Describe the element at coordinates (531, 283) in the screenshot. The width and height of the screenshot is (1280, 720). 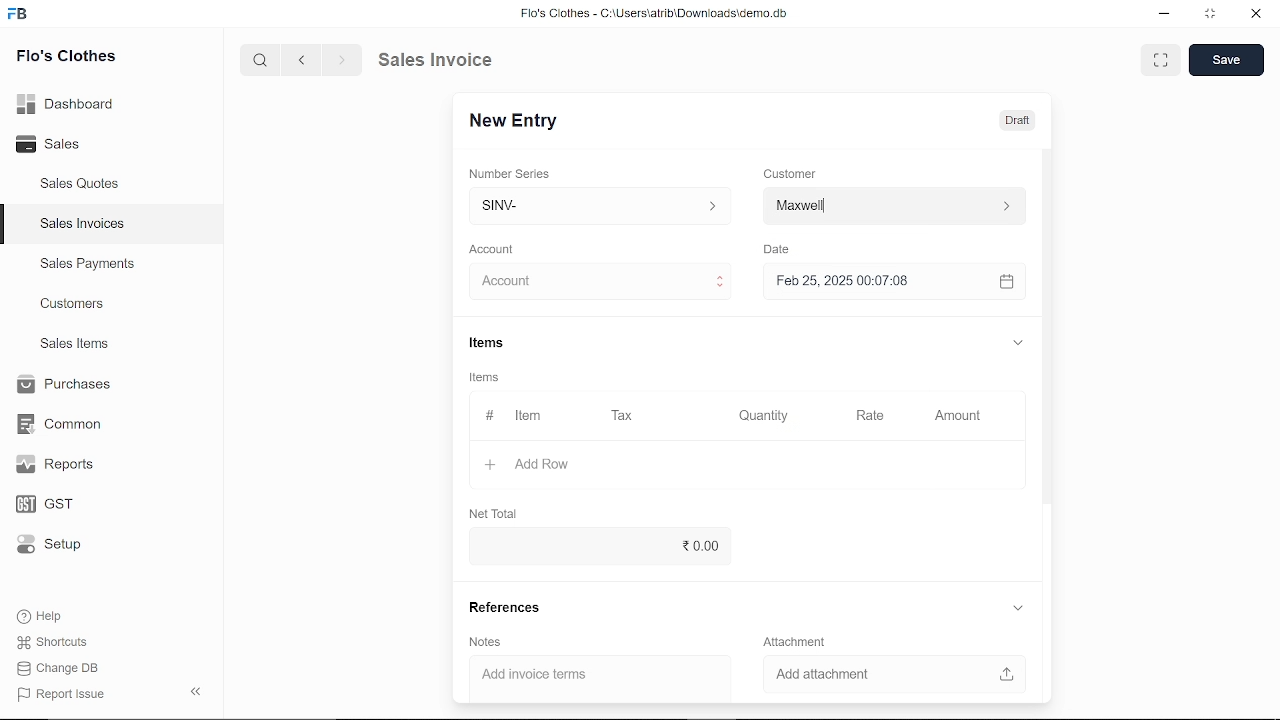
I see `cursor` at that location.